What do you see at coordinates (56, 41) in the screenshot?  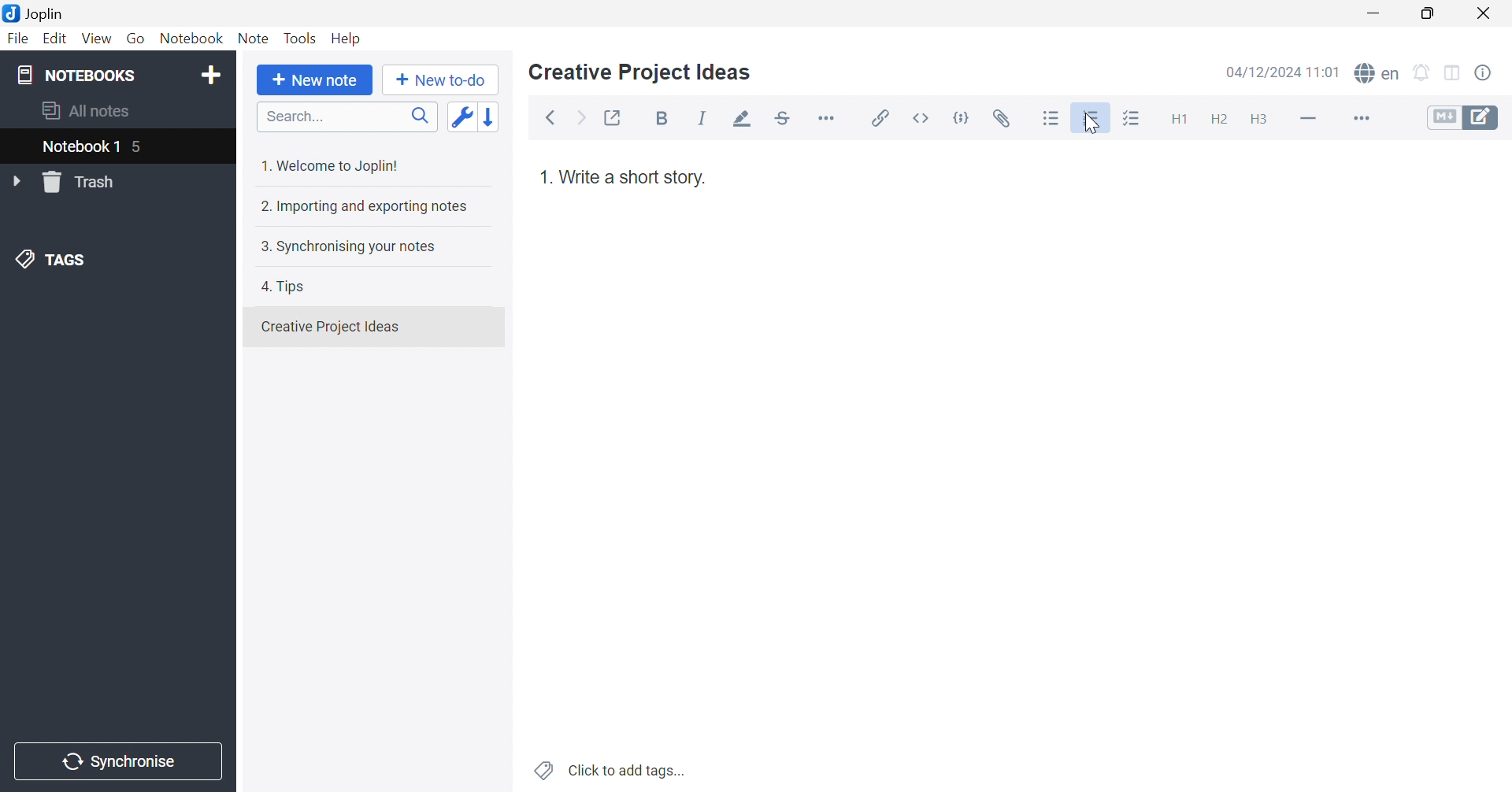 I see `Edit` at bounding box center [56, 41].